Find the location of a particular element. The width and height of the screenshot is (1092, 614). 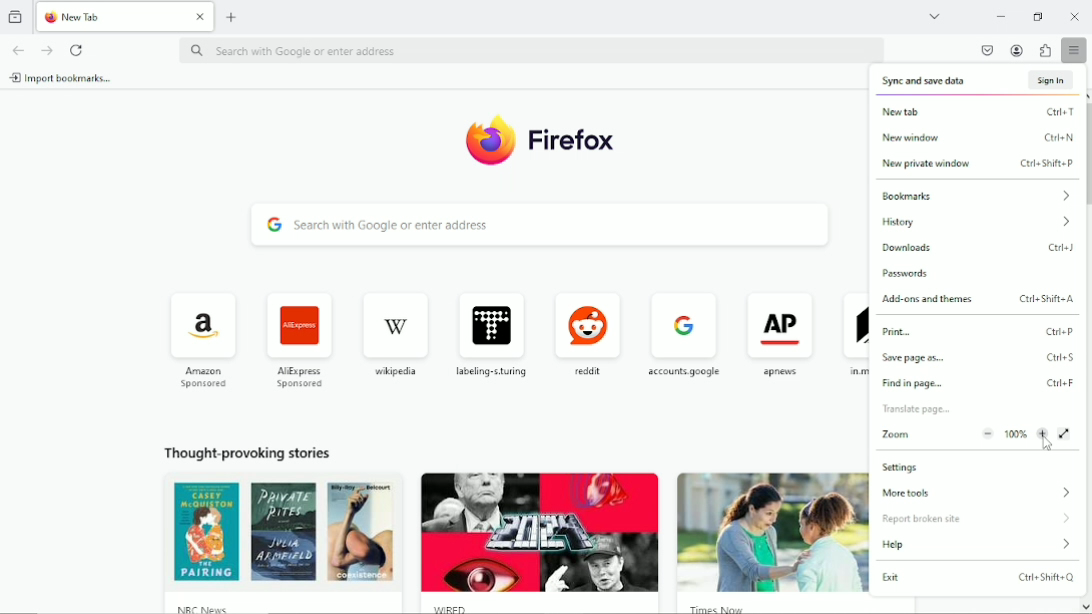

apnews is located at coordinates (781, 334).